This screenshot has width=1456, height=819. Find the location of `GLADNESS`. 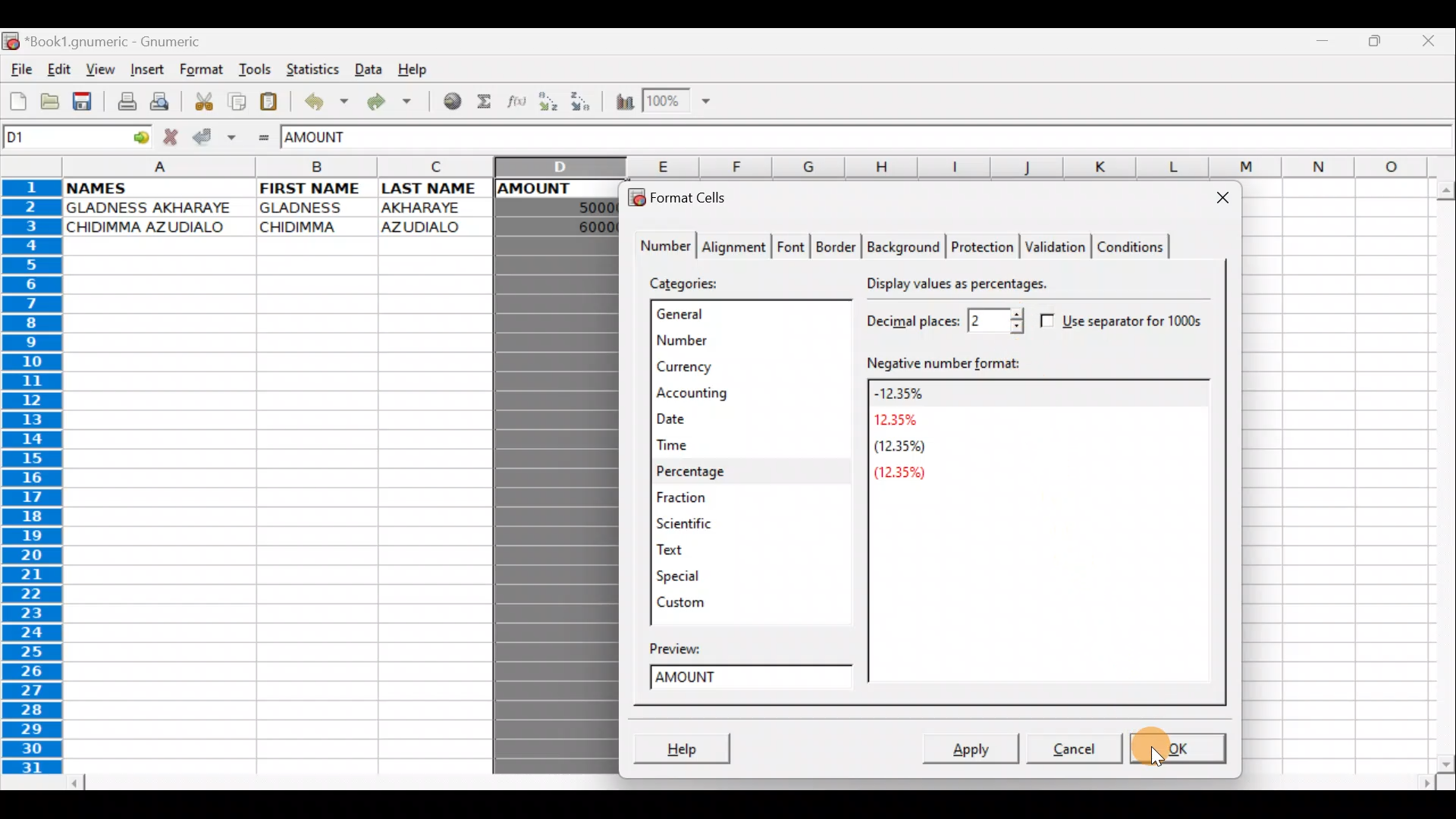

GLADNESS is located at coordinates (312, 208).